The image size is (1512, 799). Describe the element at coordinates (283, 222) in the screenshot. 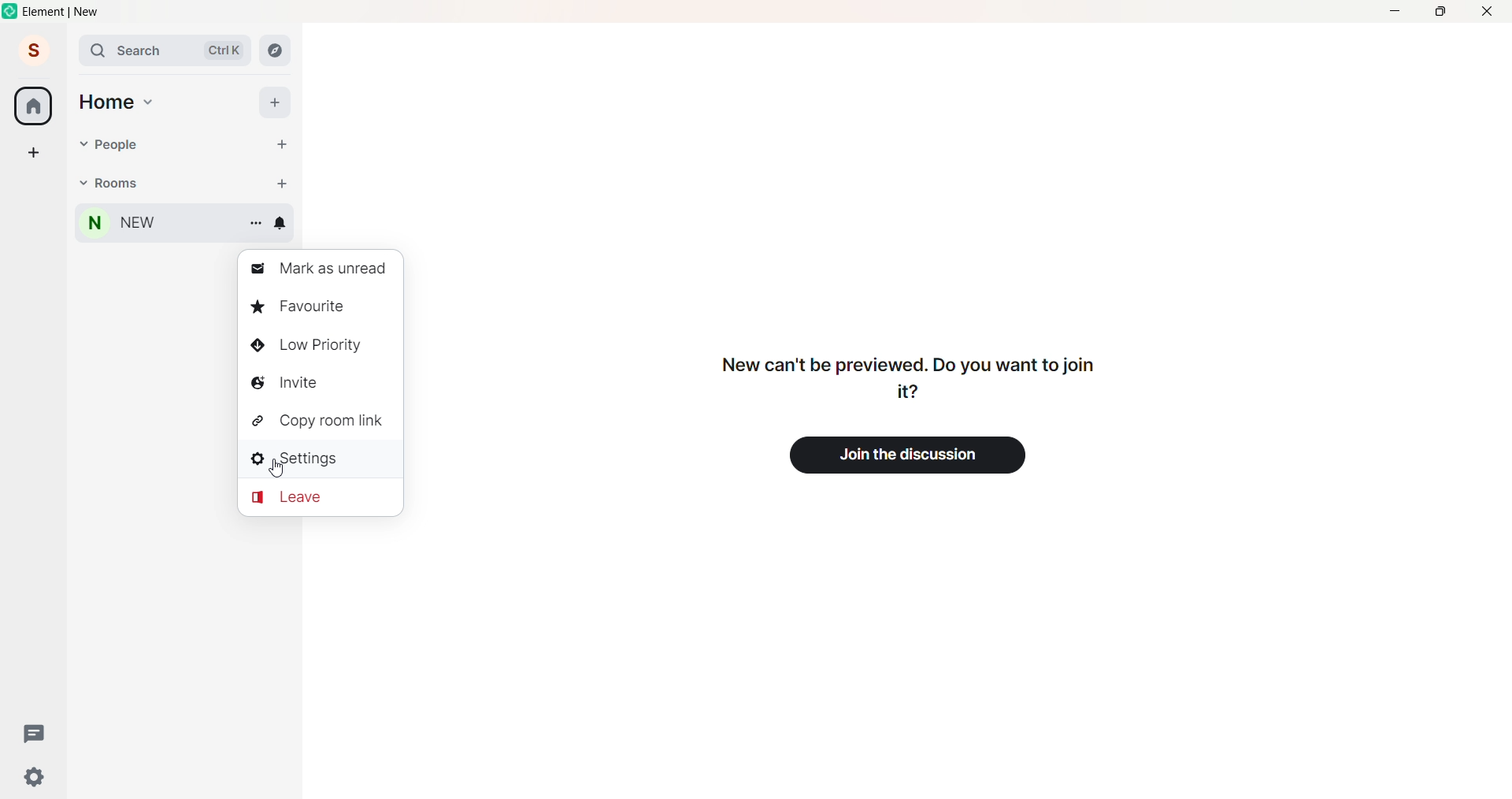

I see `notify` at that location.